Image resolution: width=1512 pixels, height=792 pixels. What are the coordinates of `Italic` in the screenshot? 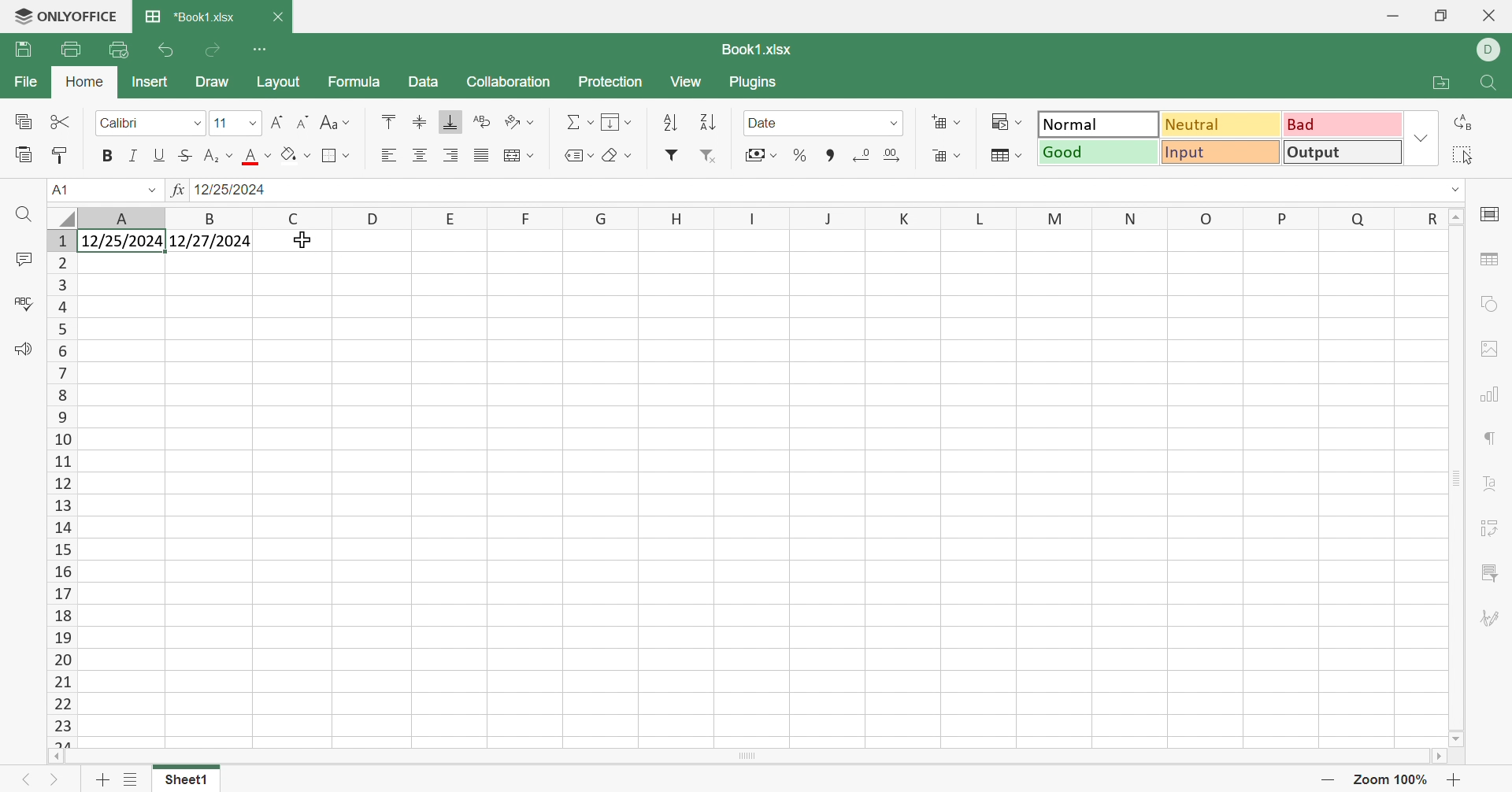 It's located at (134, 155).